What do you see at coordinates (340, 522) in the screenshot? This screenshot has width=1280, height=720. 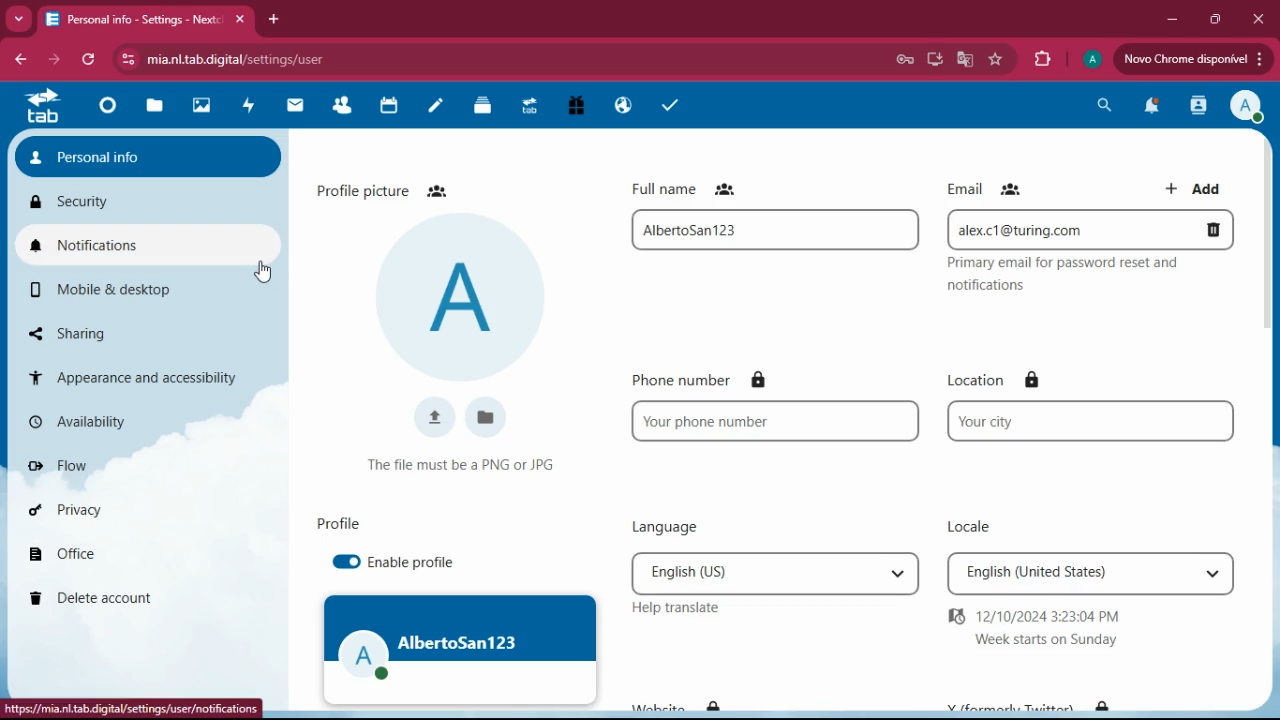 I see `profile` at bounding box center [340, 522].